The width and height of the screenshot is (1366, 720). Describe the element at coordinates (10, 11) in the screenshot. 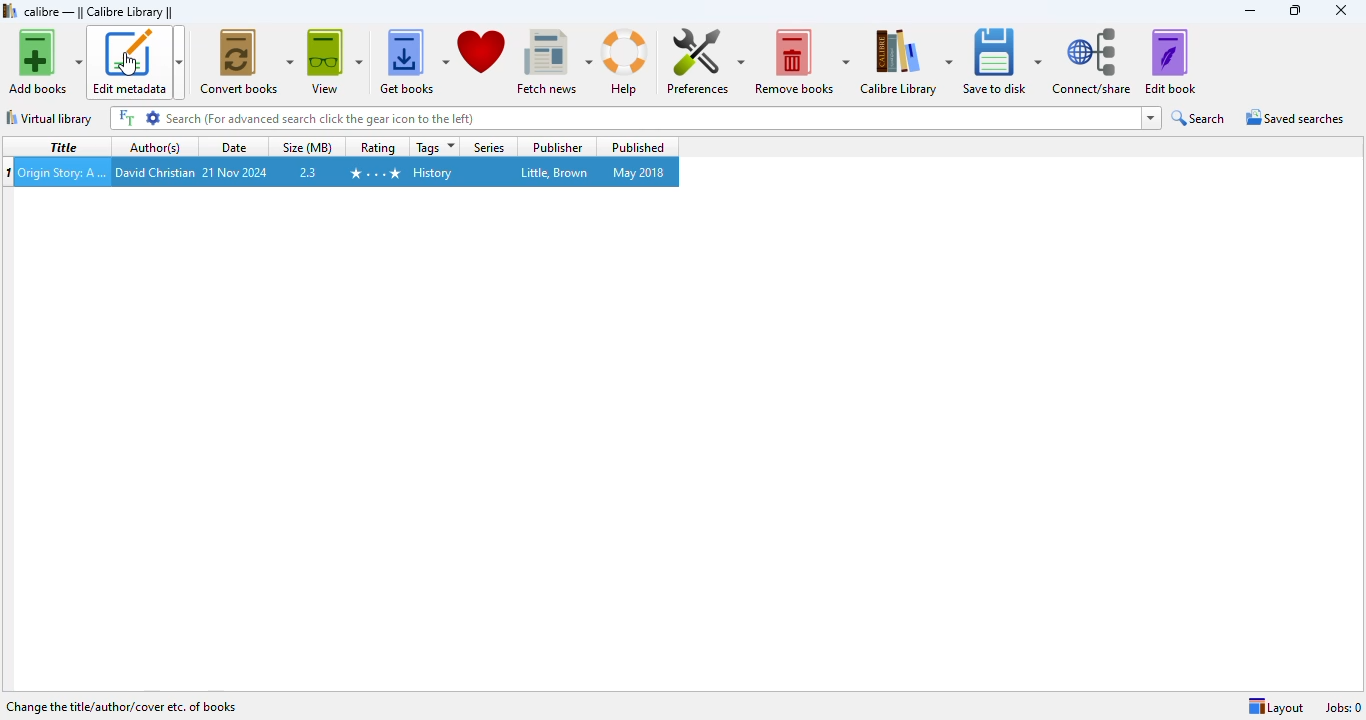

I see `logo` at that location.